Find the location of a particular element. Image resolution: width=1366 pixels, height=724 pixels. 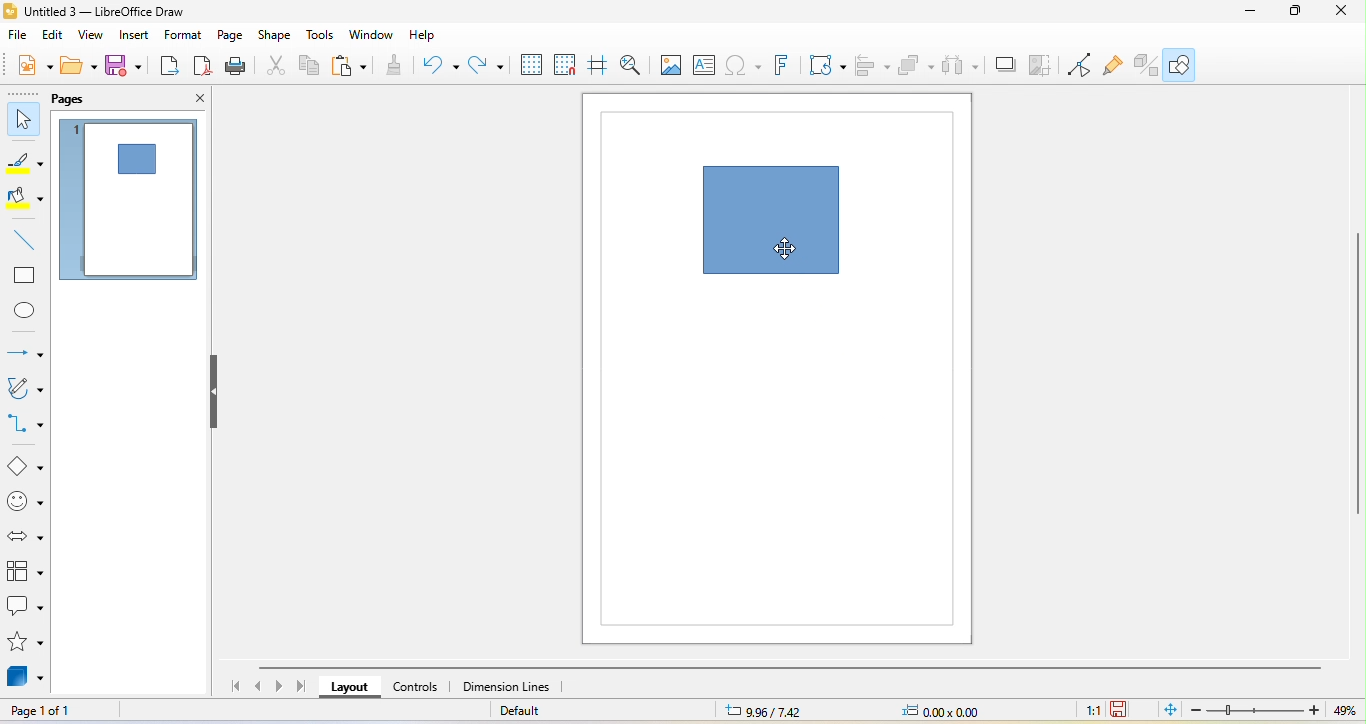

0.00x0.00 is located at coordinates (950, 711).